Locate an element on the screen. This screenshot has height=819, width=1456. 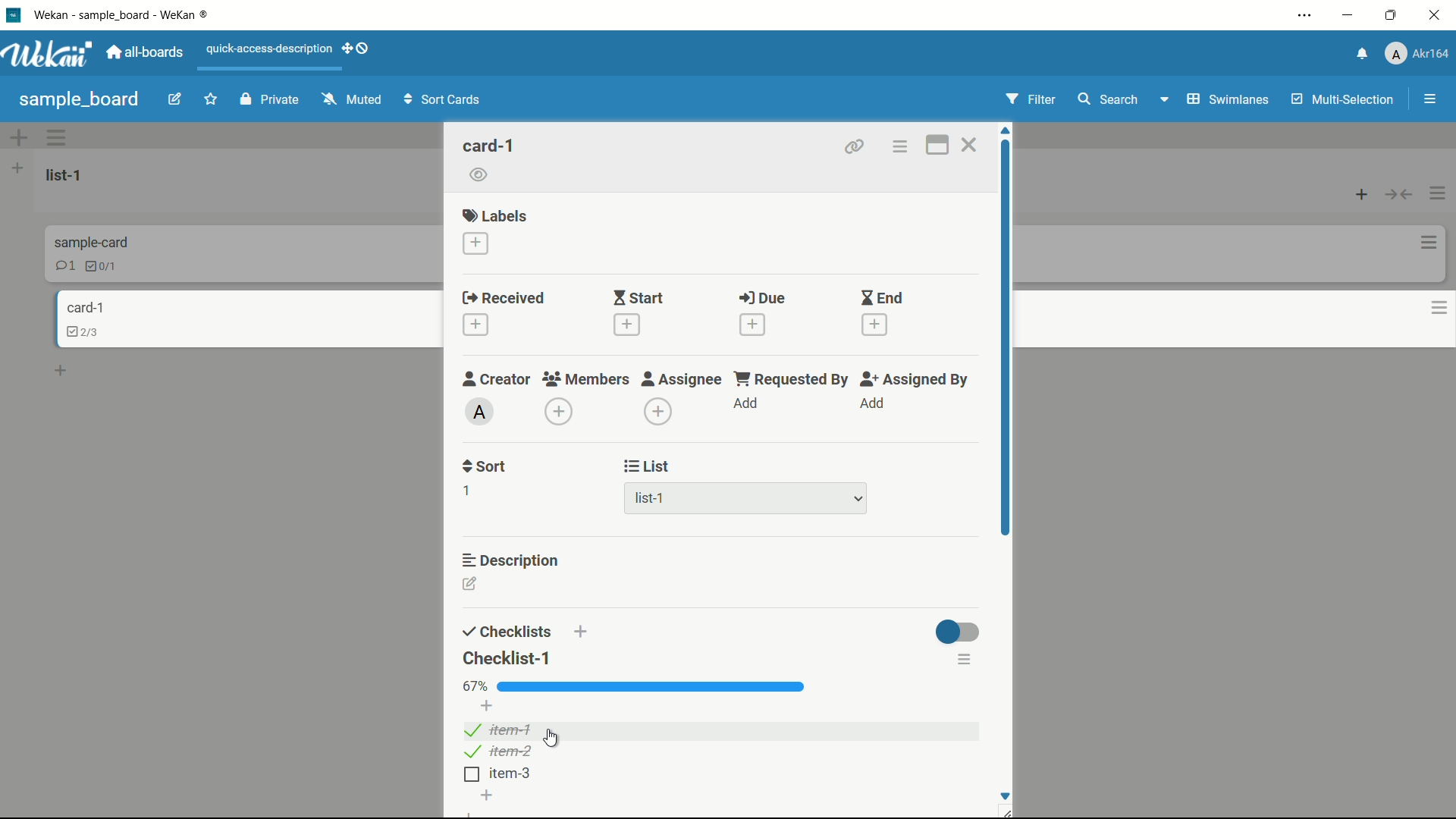
Wekan - sample_board - Wekan is located at coordinates (124, 15).